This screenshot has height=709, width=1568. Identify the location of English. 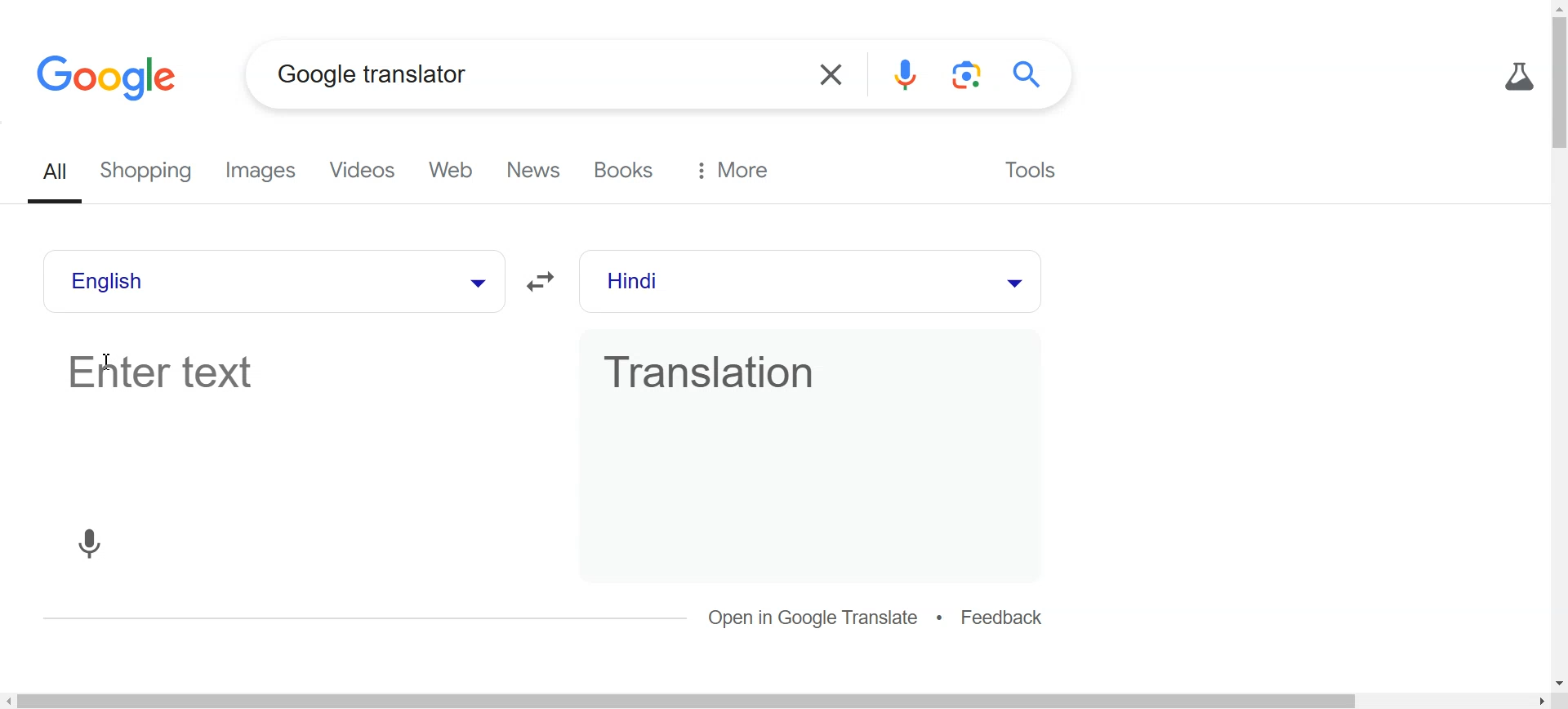
(234, 281).